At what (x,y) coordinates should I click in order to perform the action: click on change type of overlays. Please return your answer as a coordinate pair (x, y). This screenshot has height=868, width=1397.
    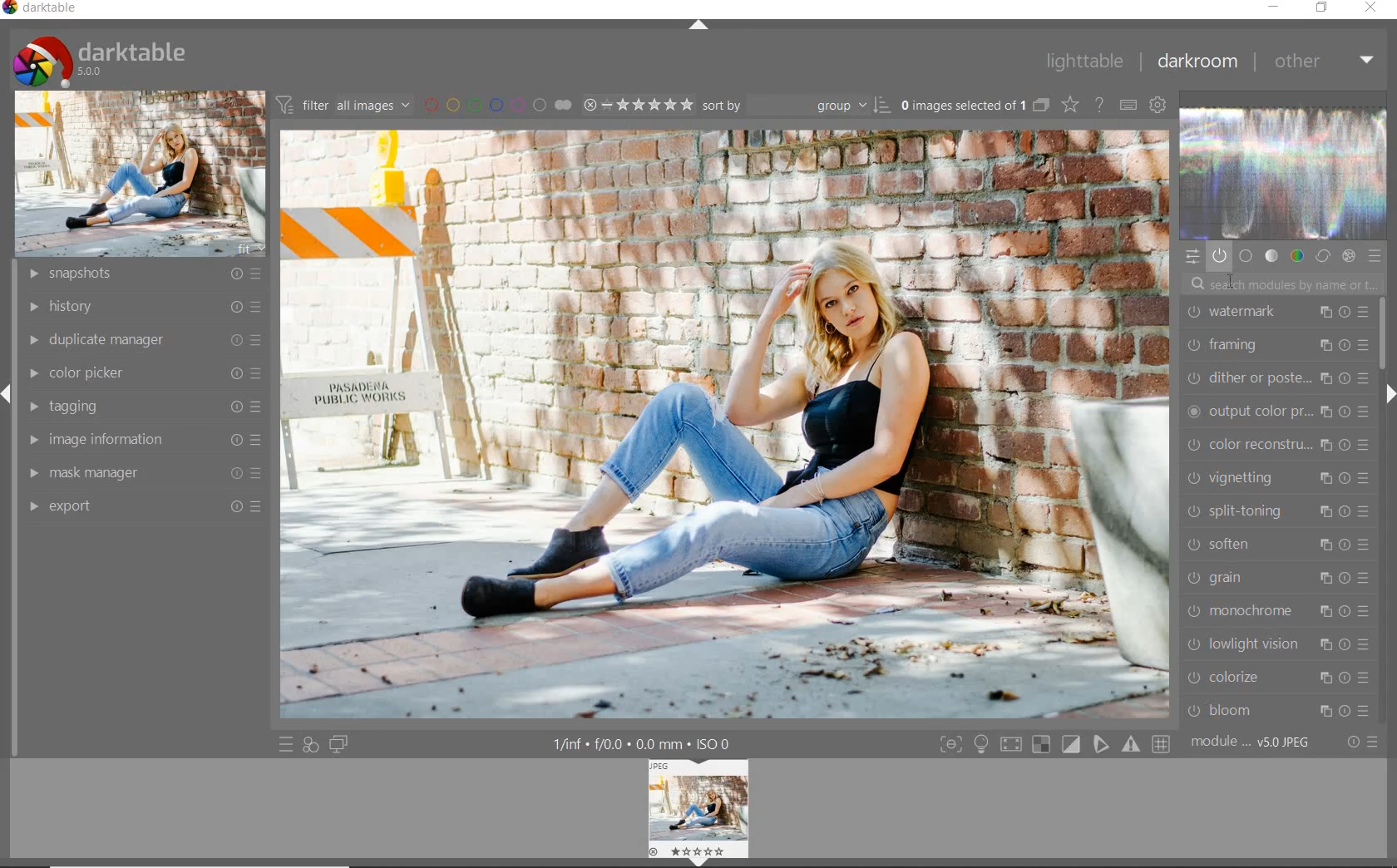
    Looking at the image, I should click on (1069, 106).